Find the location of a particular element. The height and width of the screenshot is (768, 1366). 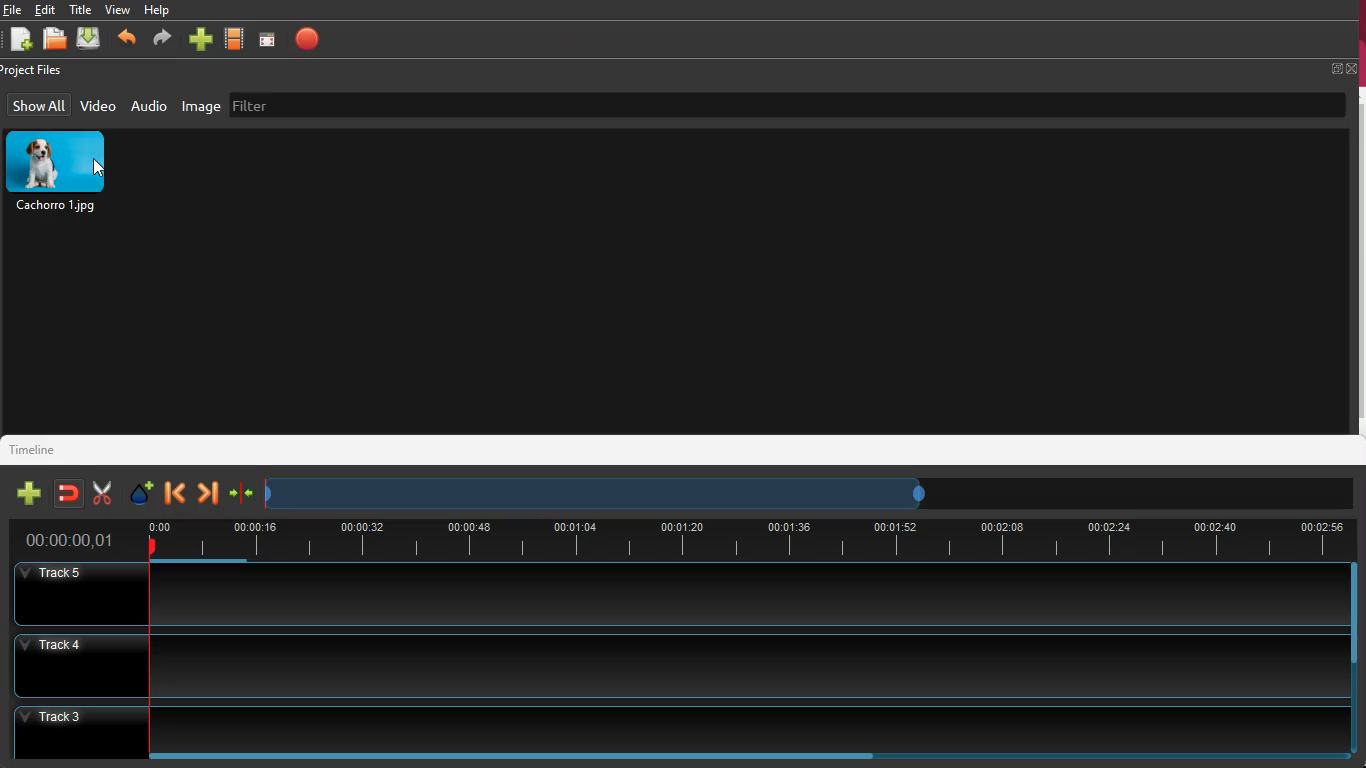

project files is located at coordinates (40, 70).